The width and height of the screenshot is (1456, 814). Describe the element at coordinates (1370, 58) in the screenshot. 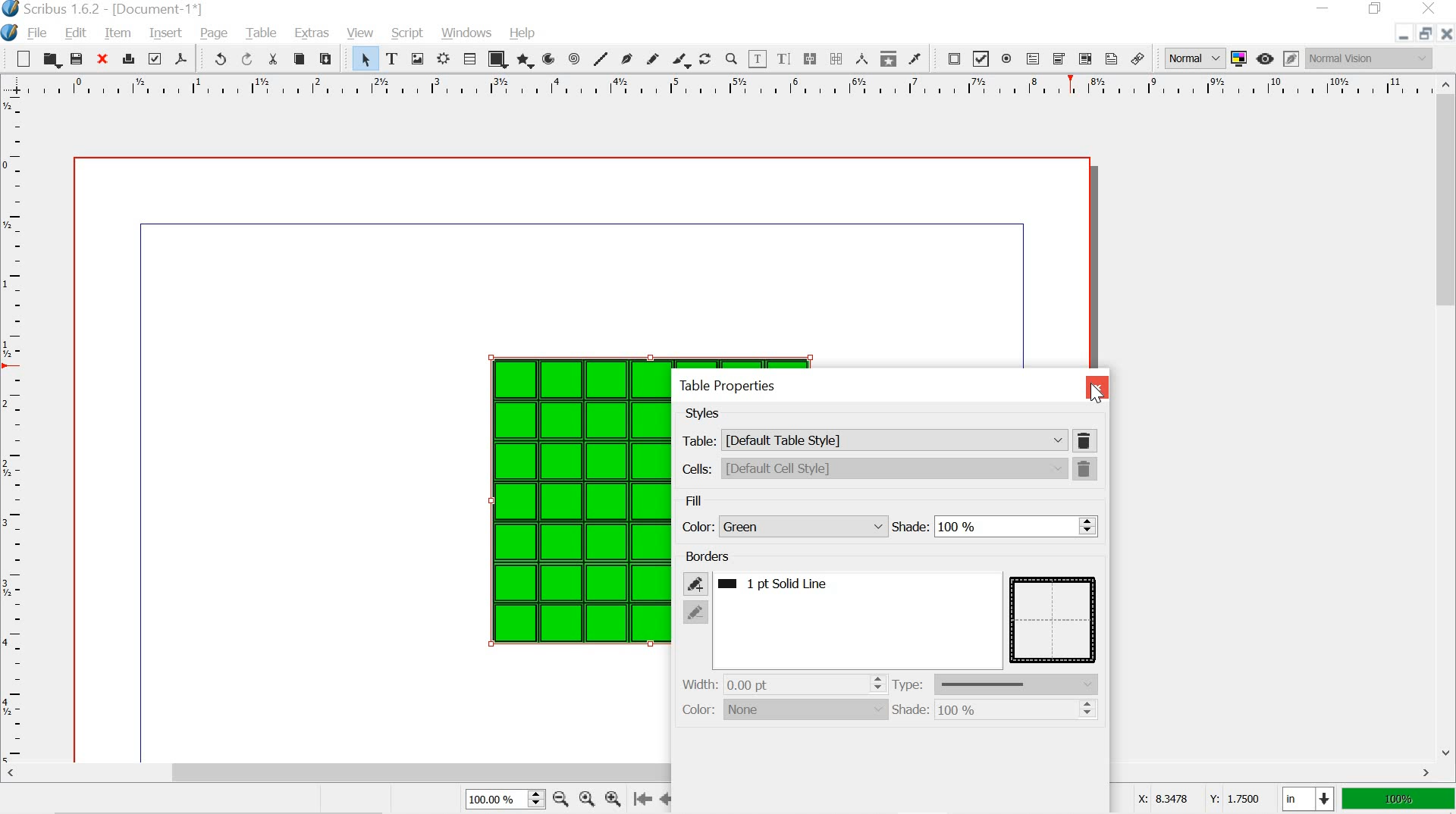

I see `normal vision` at that location.